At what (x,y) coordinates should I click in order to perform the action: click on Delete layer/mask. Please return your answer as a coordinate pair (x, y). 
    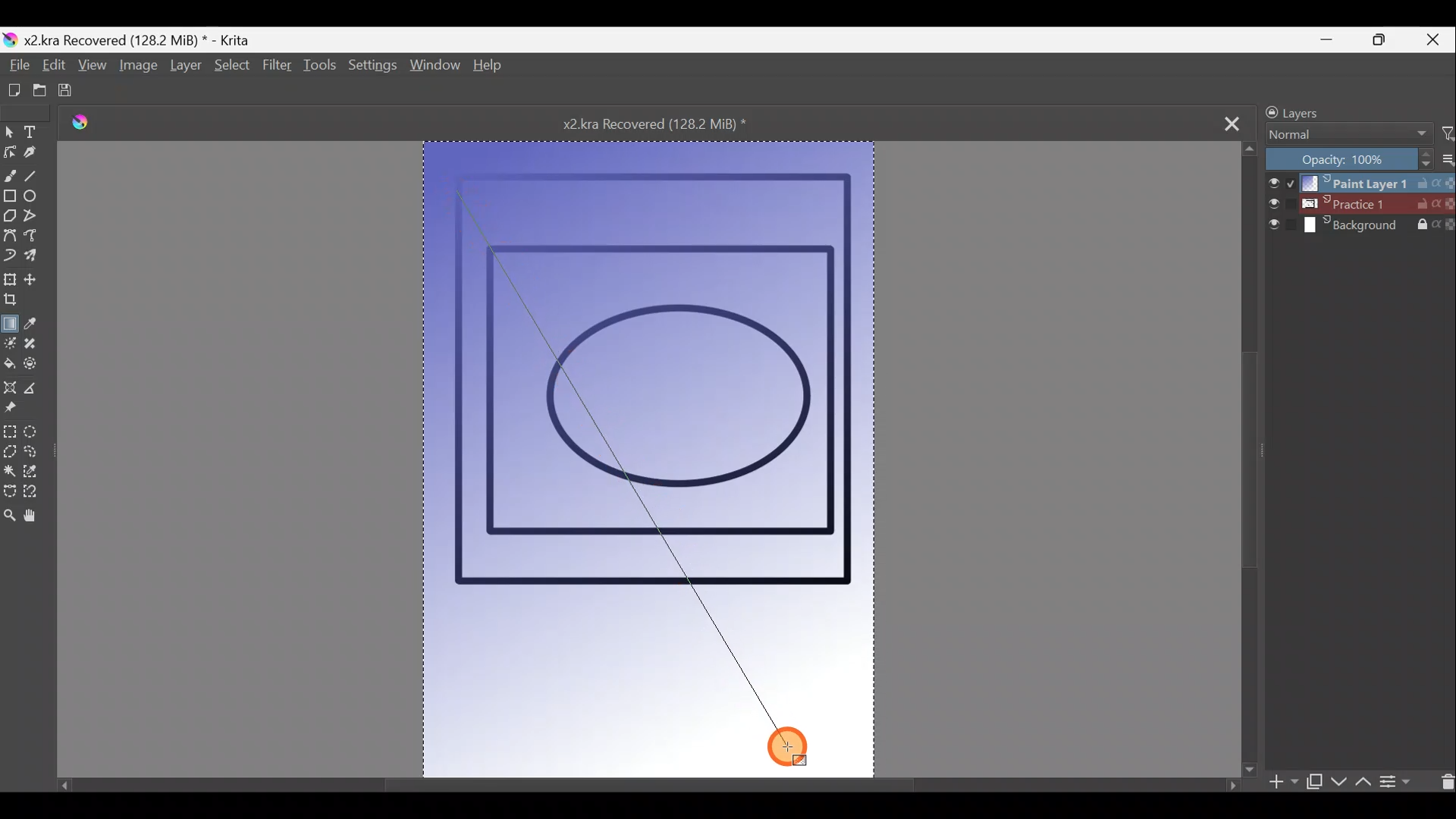
    Looking at the image, I should click on (1443, 780).